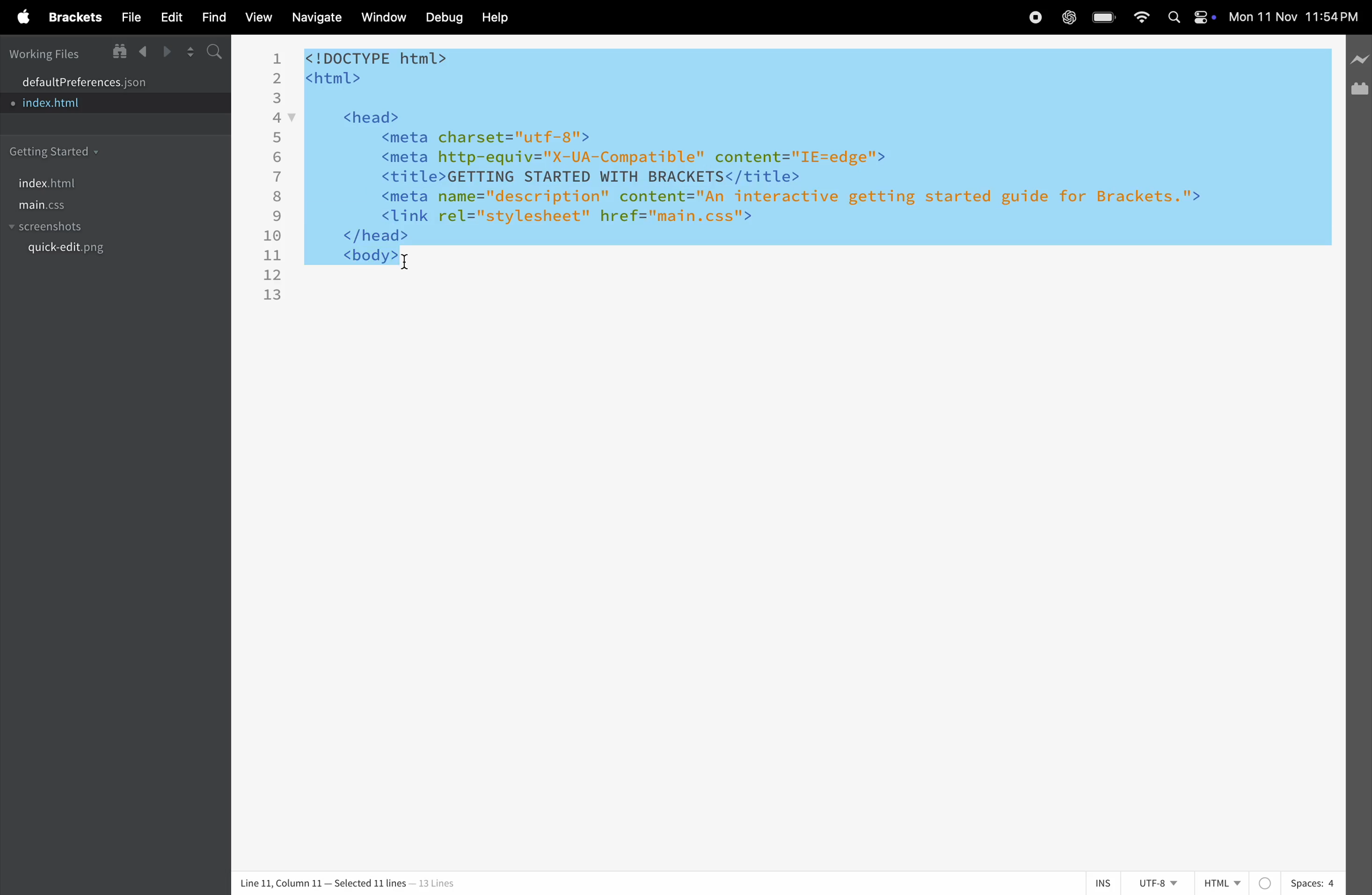 Image resolution: width=1372 pixels, height=895 pixels. Describe the element at coordinates (496, 18) in the screenshot. I see `help` at that location.